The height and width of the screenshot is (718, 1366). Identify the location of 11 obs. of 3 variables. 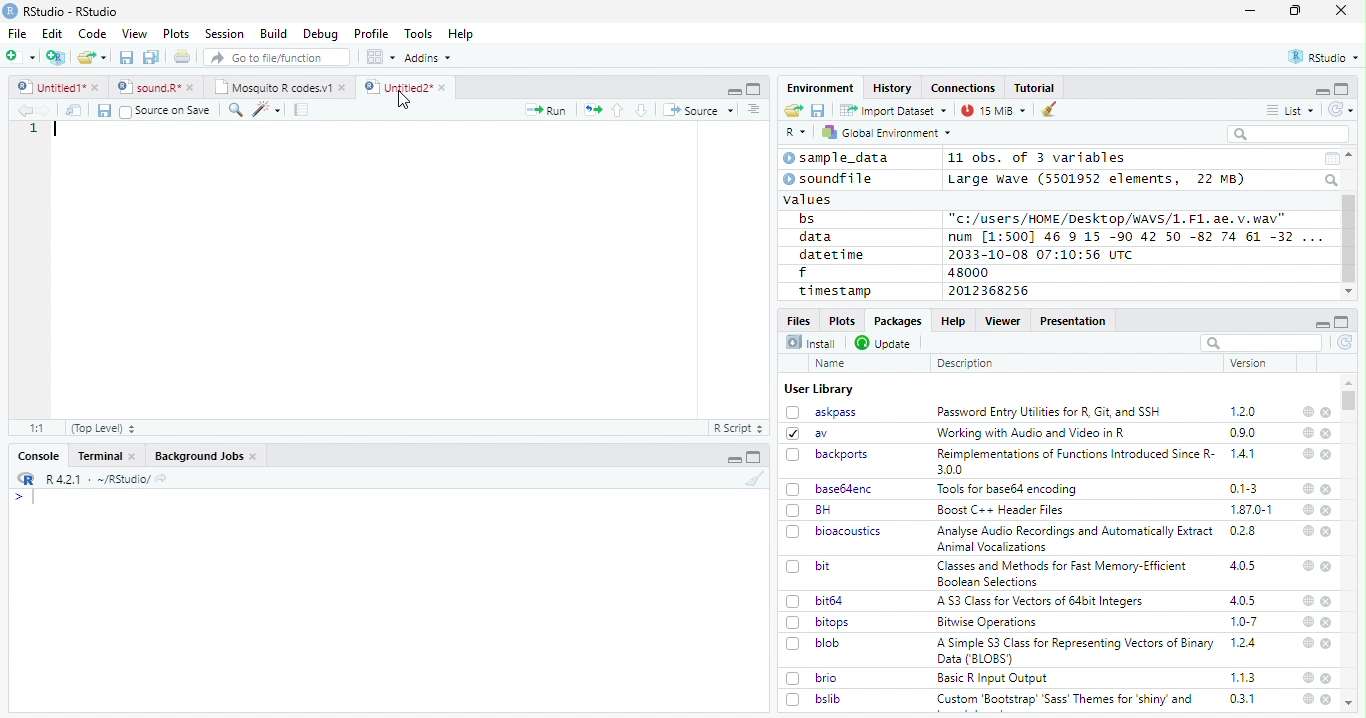
(1038, 159).